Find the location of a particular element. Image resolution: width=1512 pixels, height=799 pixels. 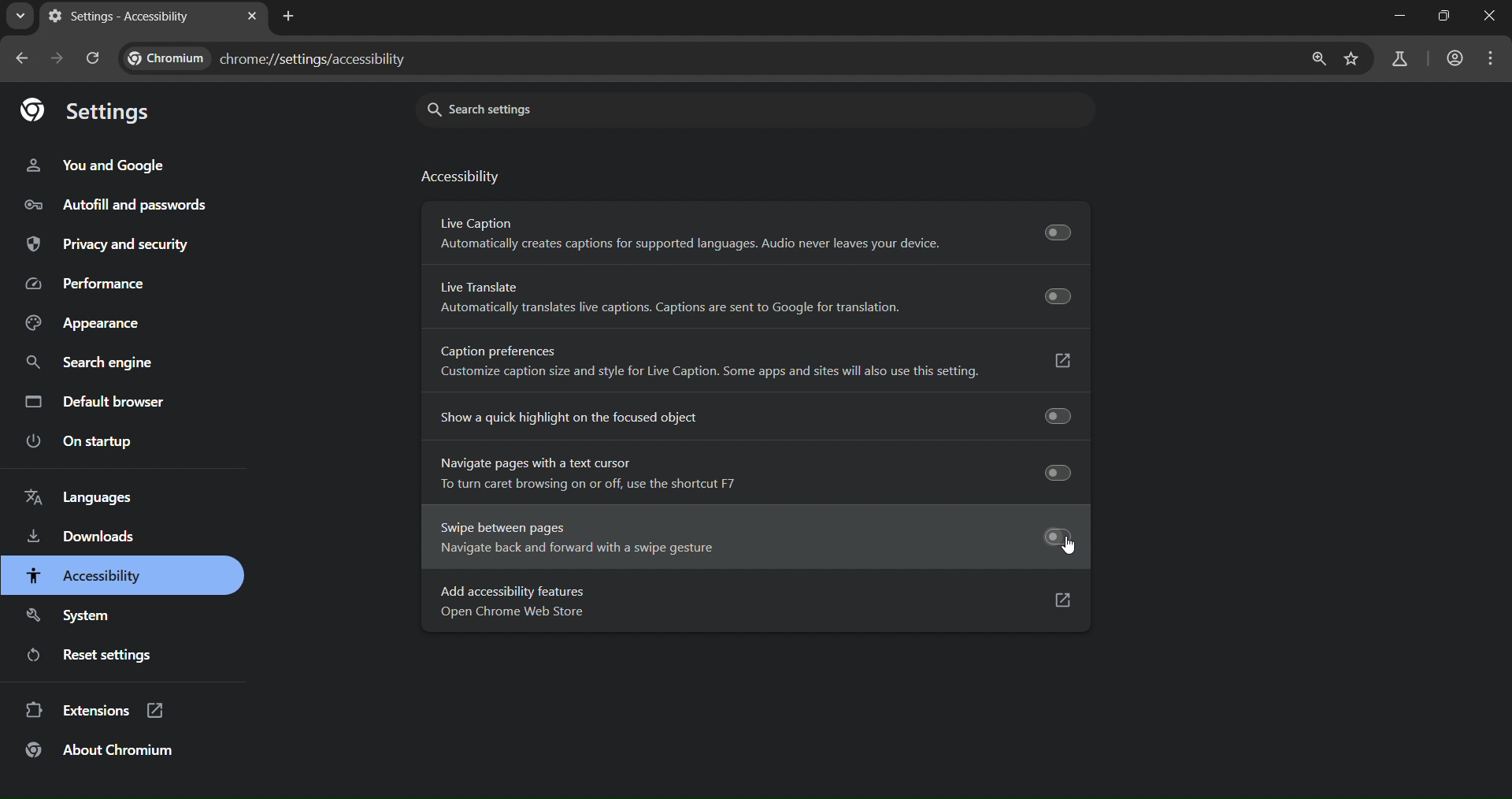

on startup is located at coordinates (81, 442).